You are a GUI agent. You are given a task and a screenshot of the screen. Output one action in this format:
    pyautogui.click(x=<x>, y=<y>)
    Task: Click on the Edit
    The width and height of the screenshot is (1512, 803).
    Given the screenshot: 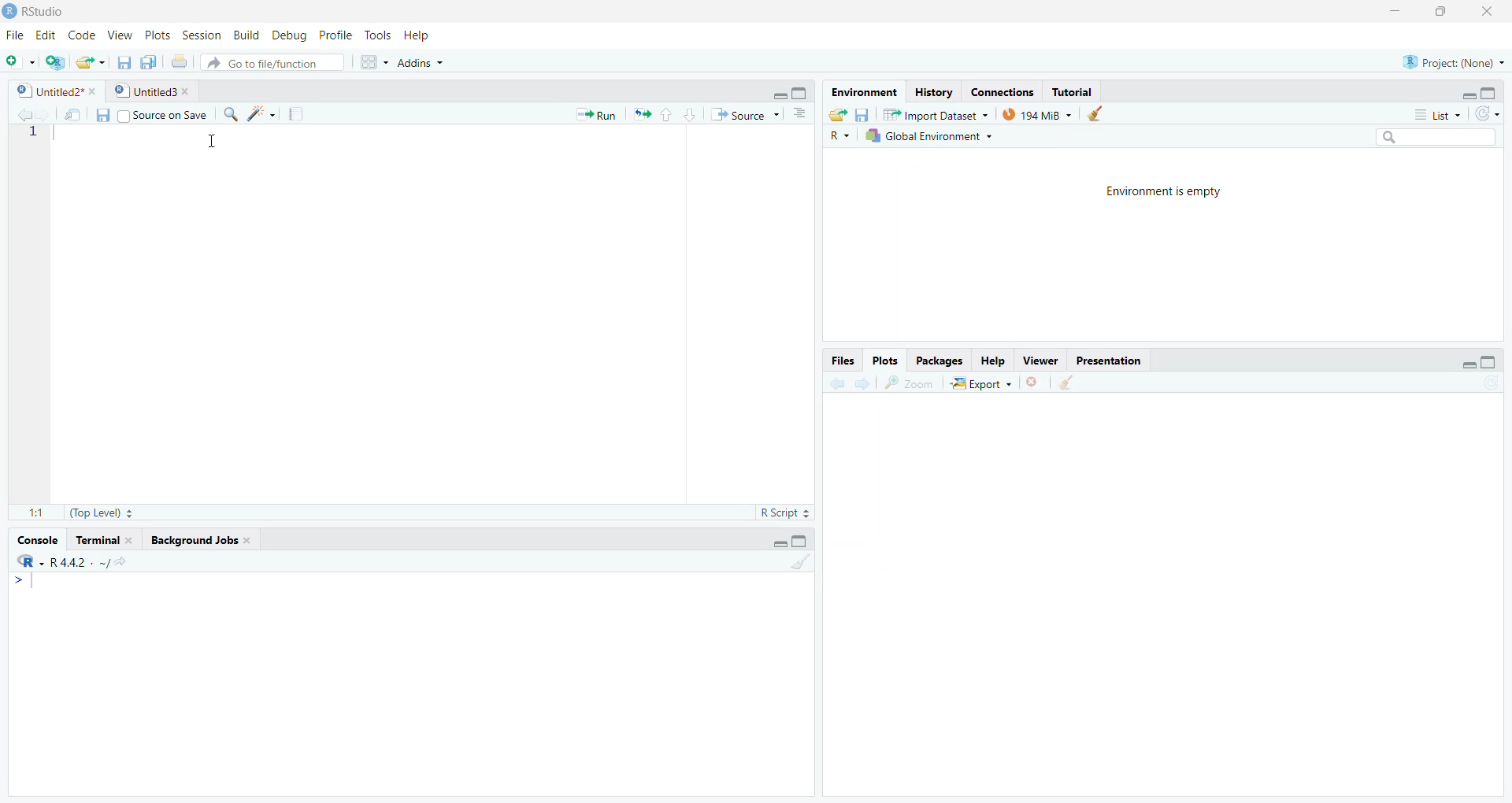 What is the action you would take?
    pyautogui.click(x=44, y=37)
    